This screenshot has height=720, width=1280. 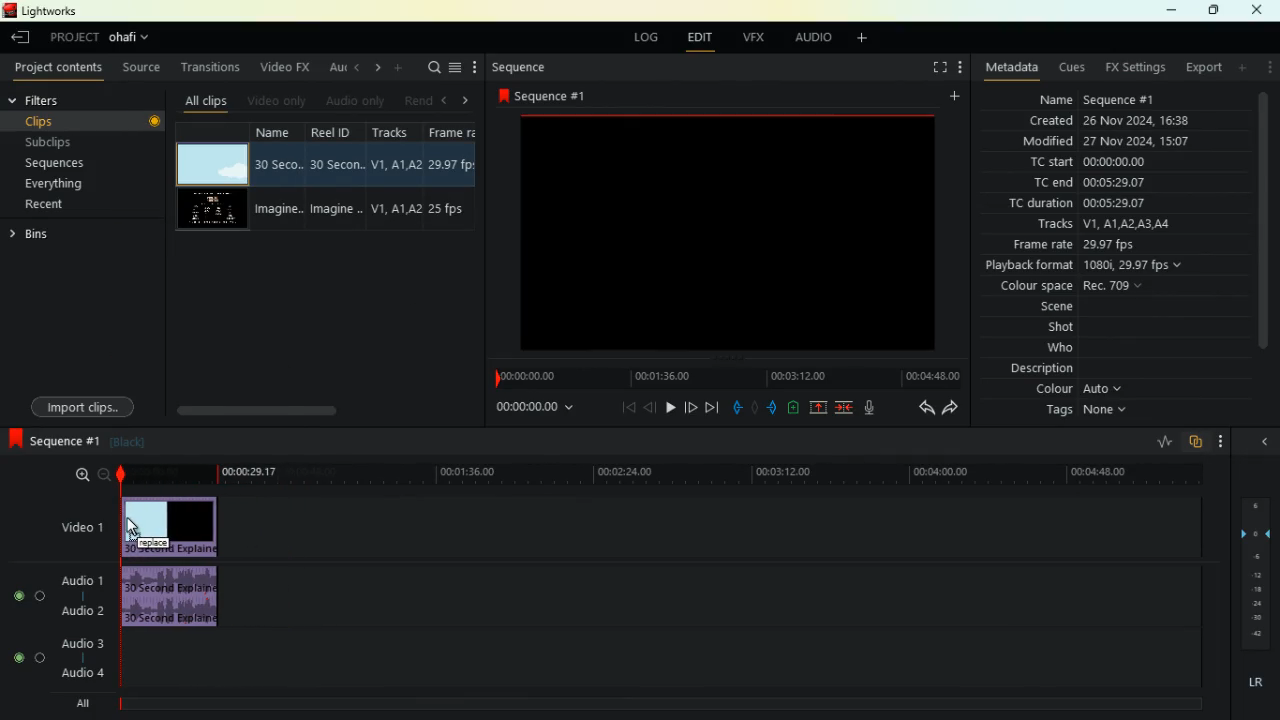 I want to click on vfx, so click(x=750, y=38).